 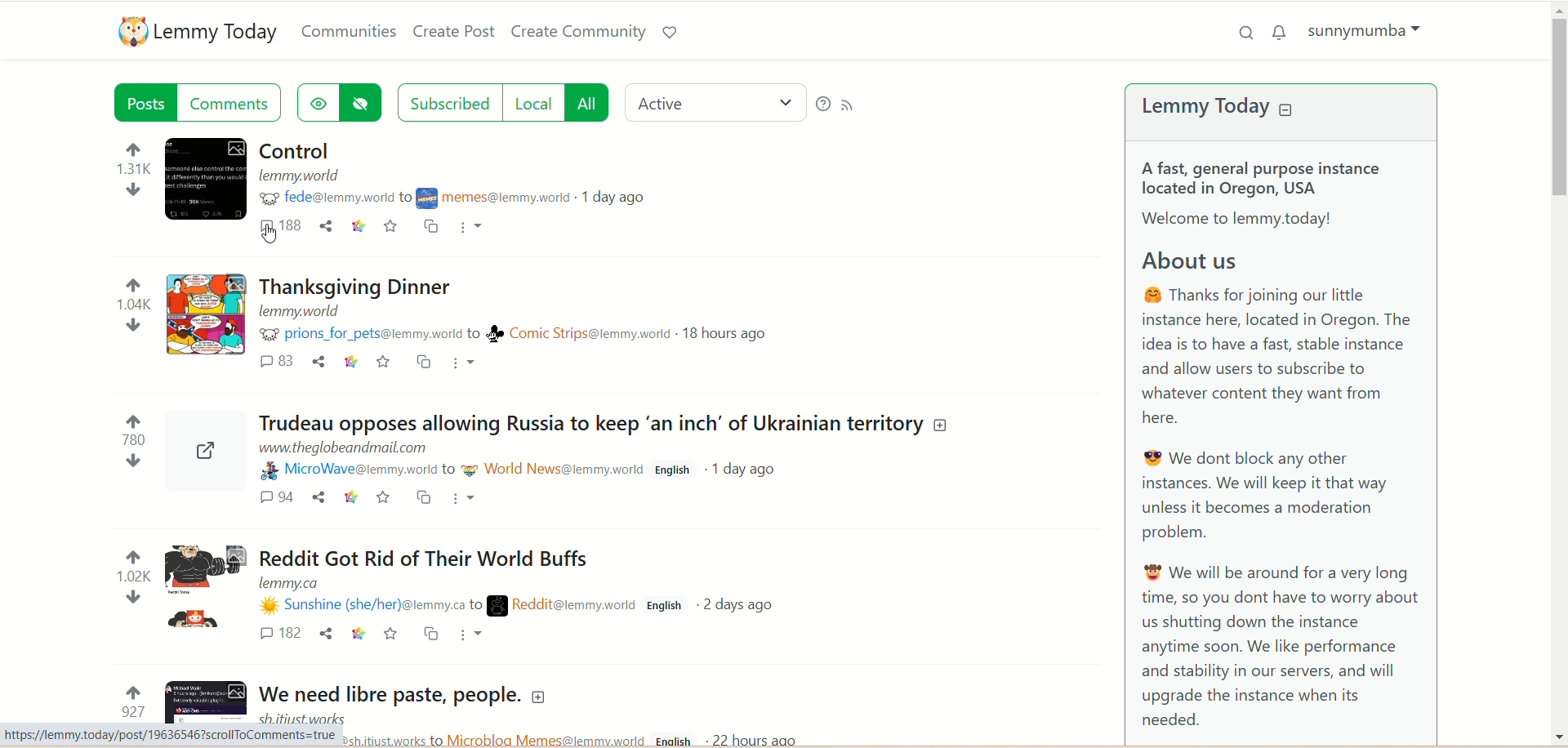 I want to click on more, so click(x=478, y=630).